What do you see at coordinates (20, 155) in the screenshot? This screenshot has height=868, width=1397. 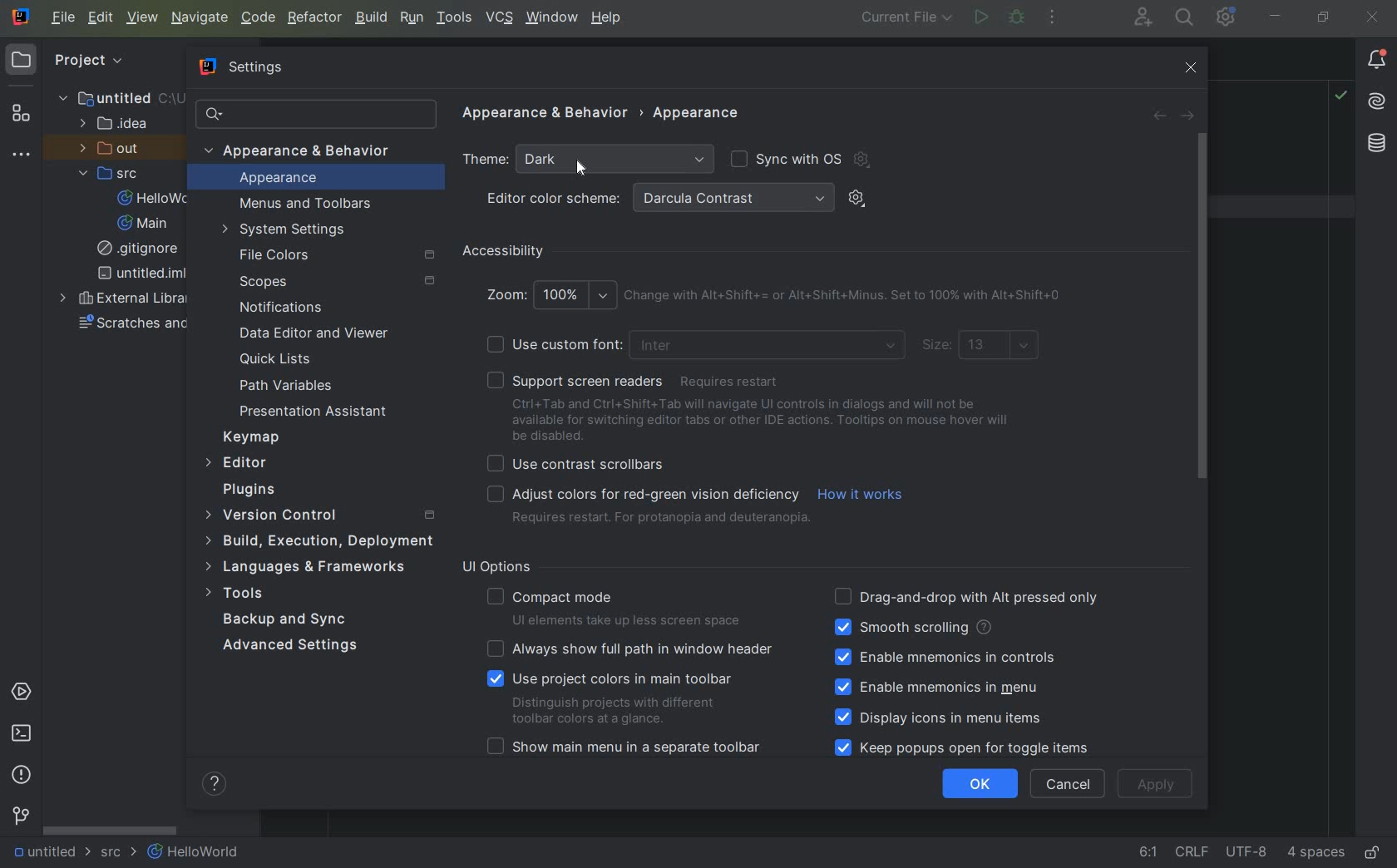 I see `MORE TOOL WINDOWS` at bounding box center [20, 155].